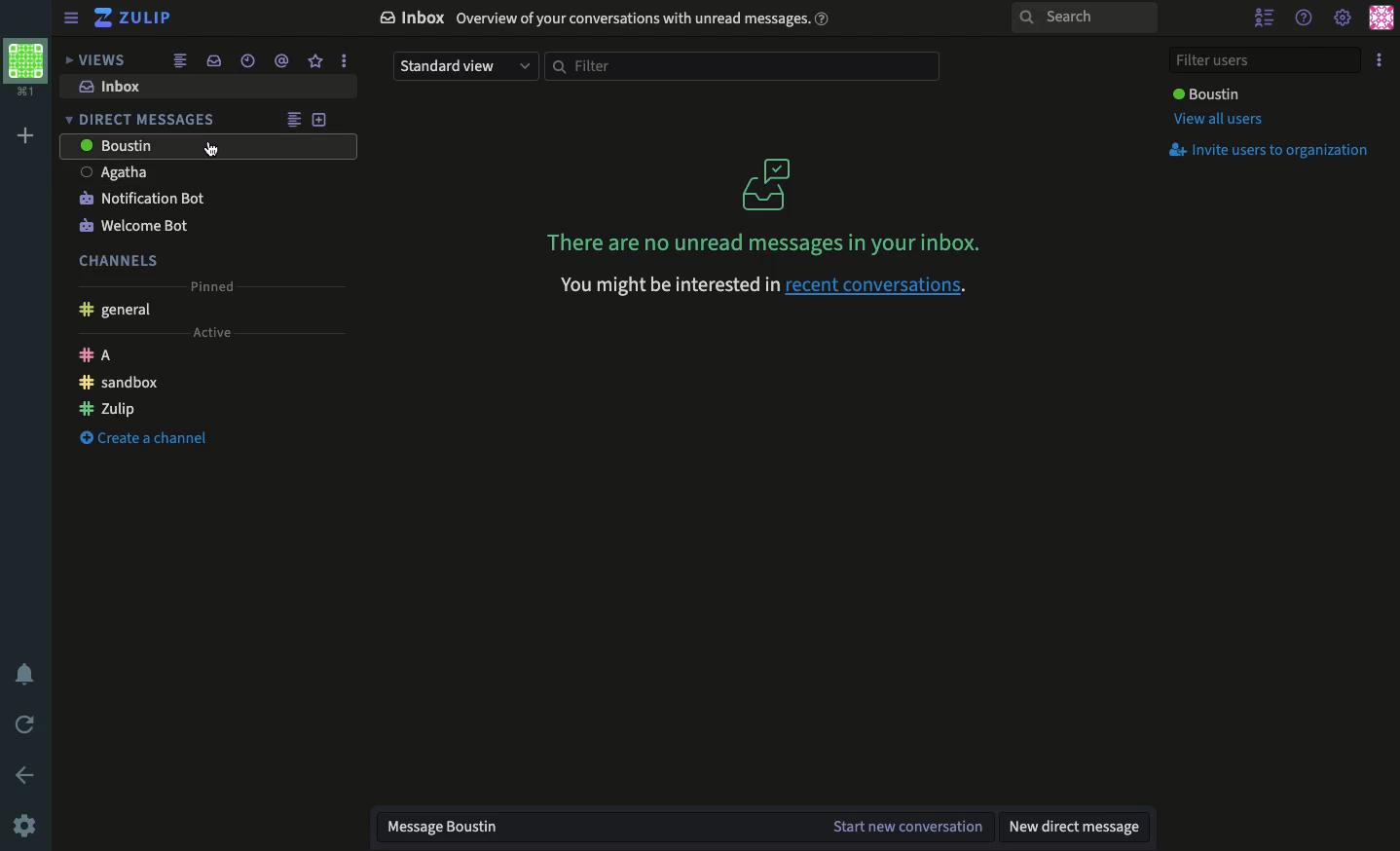  What do you see at coordinates (1076, 828) in the screenshot?
I see `New DM` at bounding box center [1076, 828].